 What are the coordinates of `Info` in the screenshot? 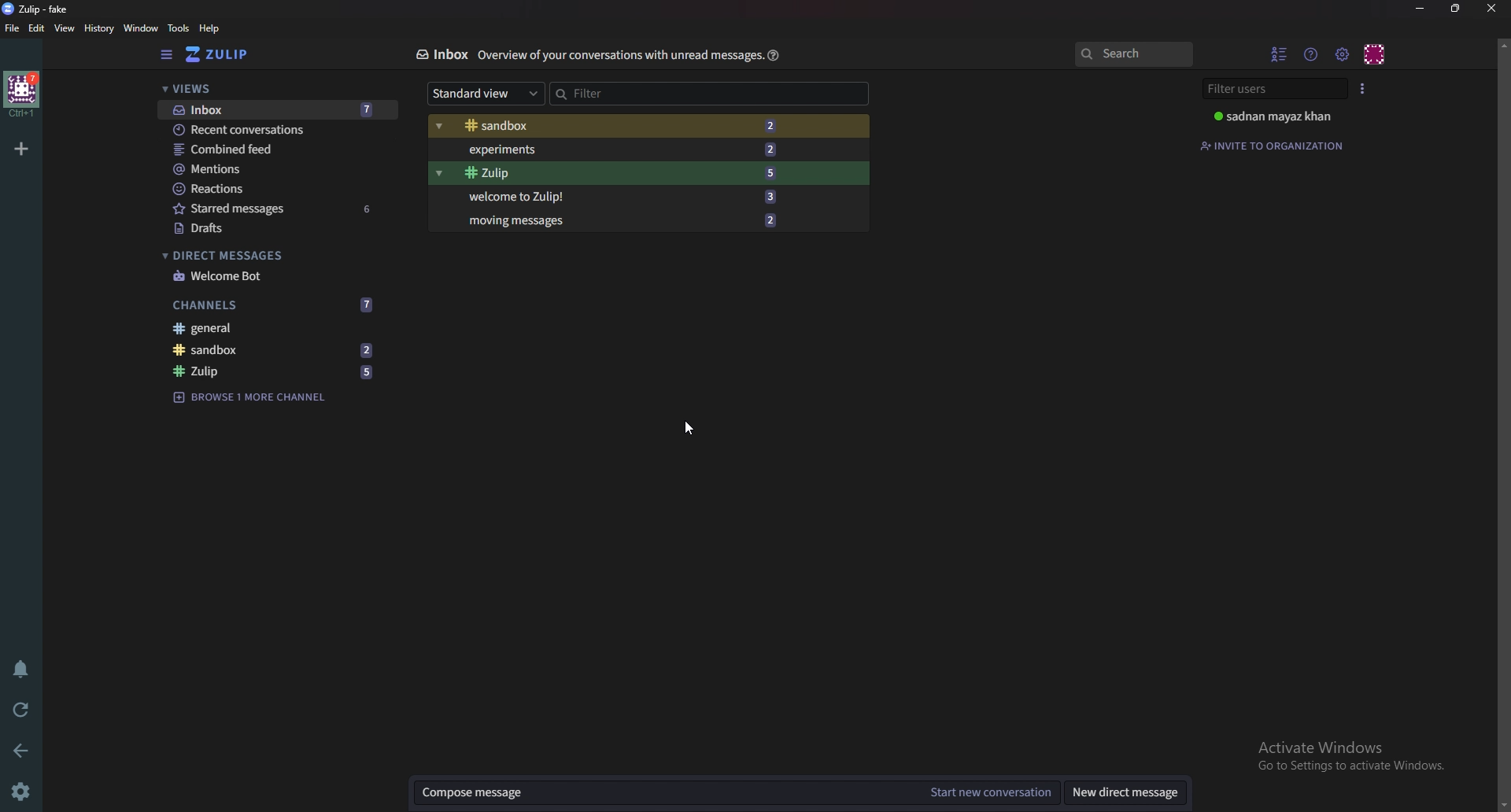 It's located at (620, 54).